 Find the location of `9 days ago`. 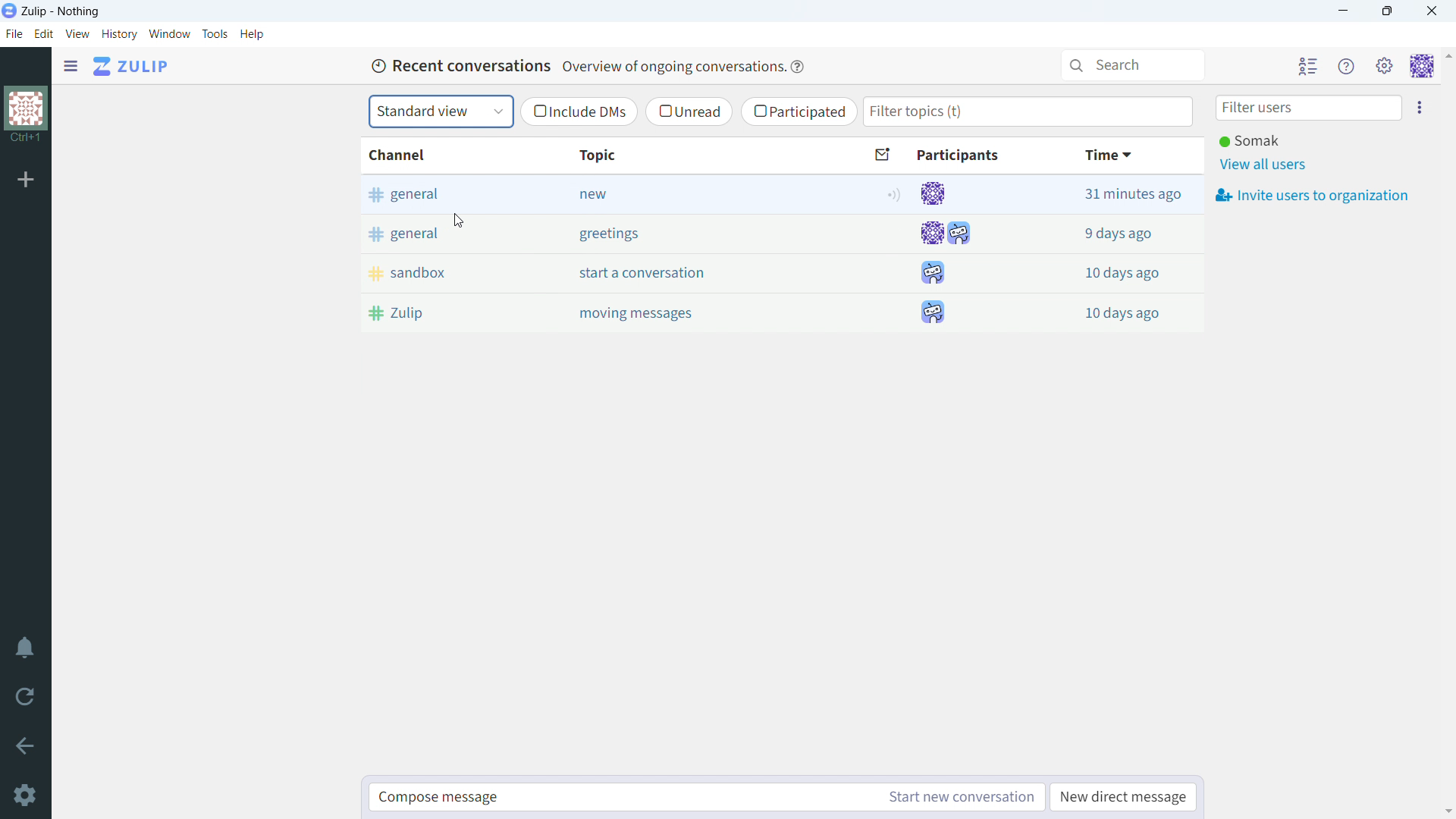

9 days ago is located at coordinates (1122, 234).